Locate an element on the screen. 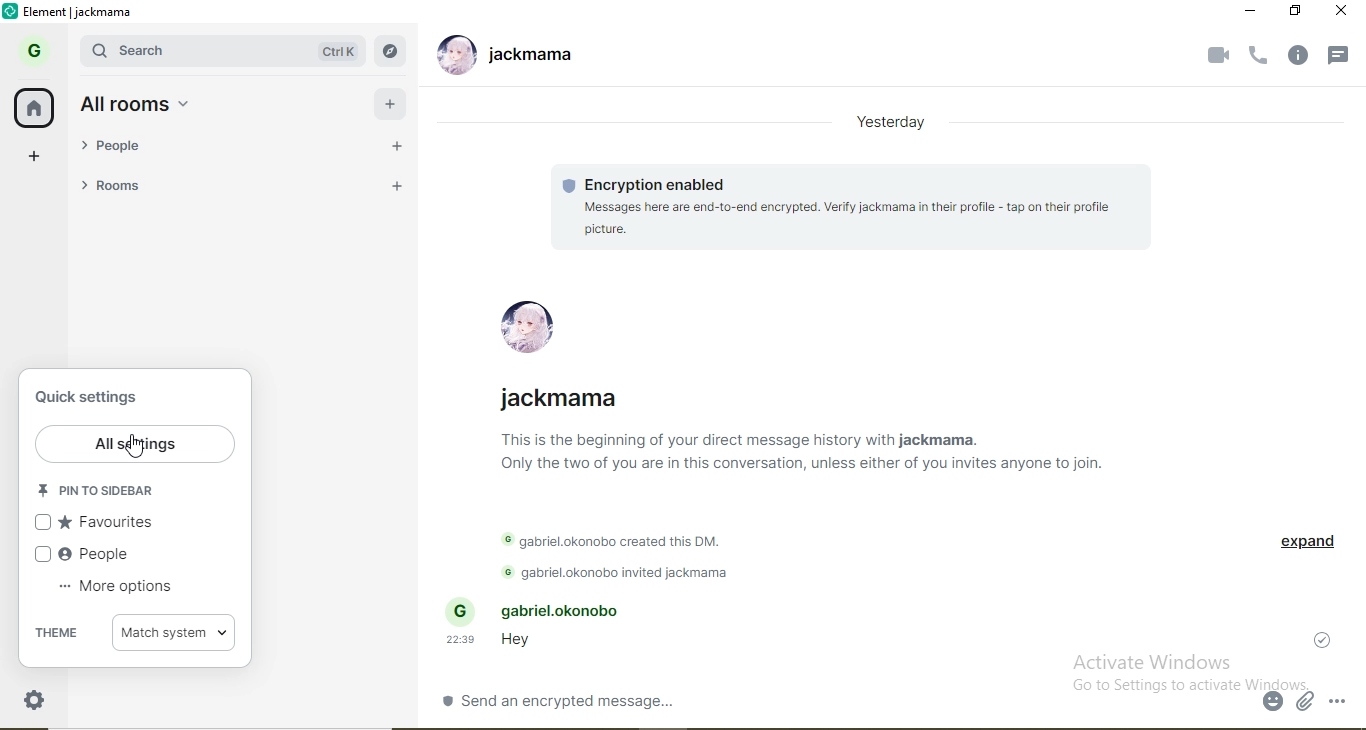 This screenshot has width=1366, height=730. expand is located at coordinates (1301, 547).